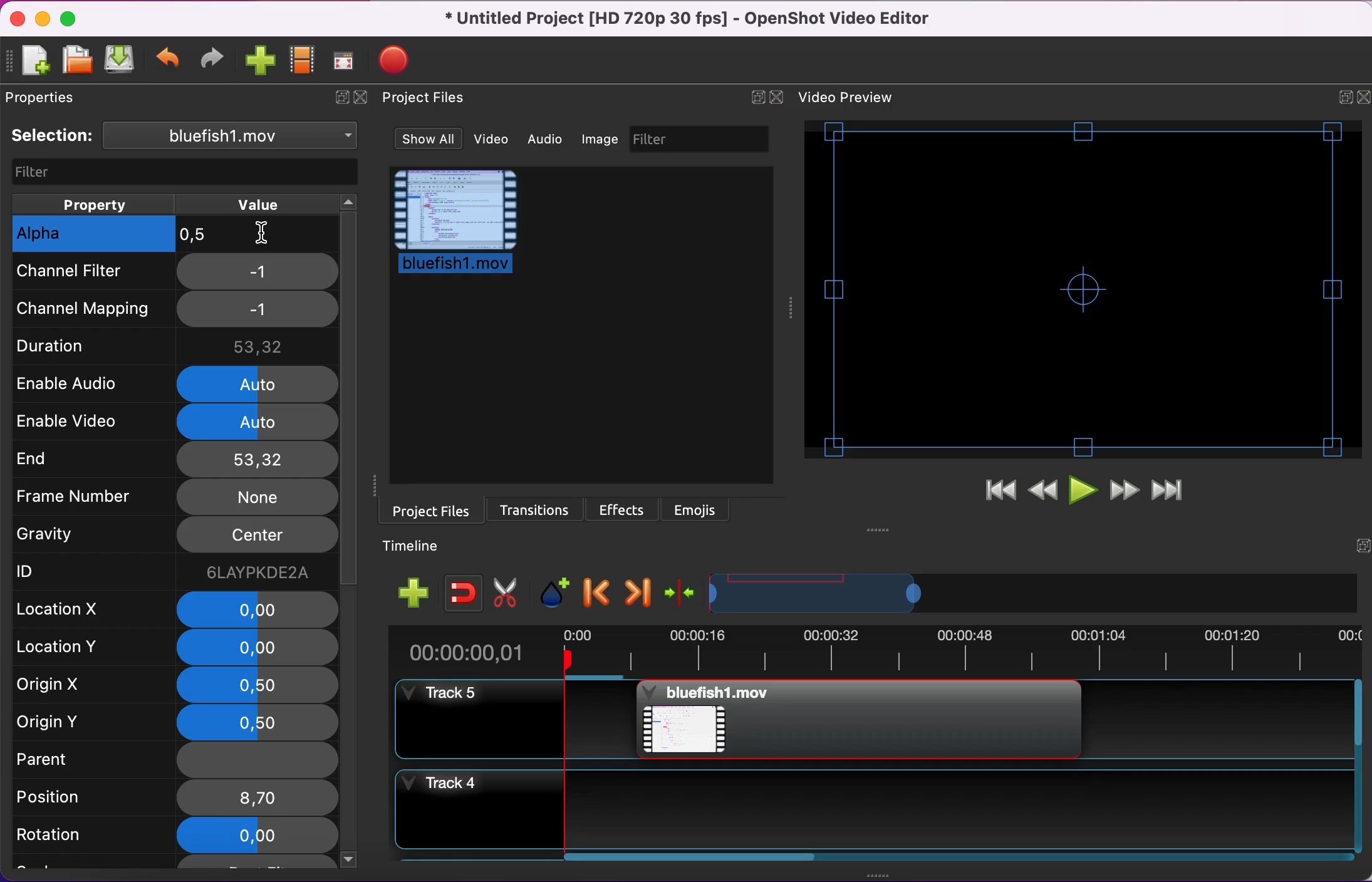 This screenshot has width=1372, height=882. What do you see at coordinates (258, 346) in the screenshot?
I see `53,32` at bounding box center [258, 346].